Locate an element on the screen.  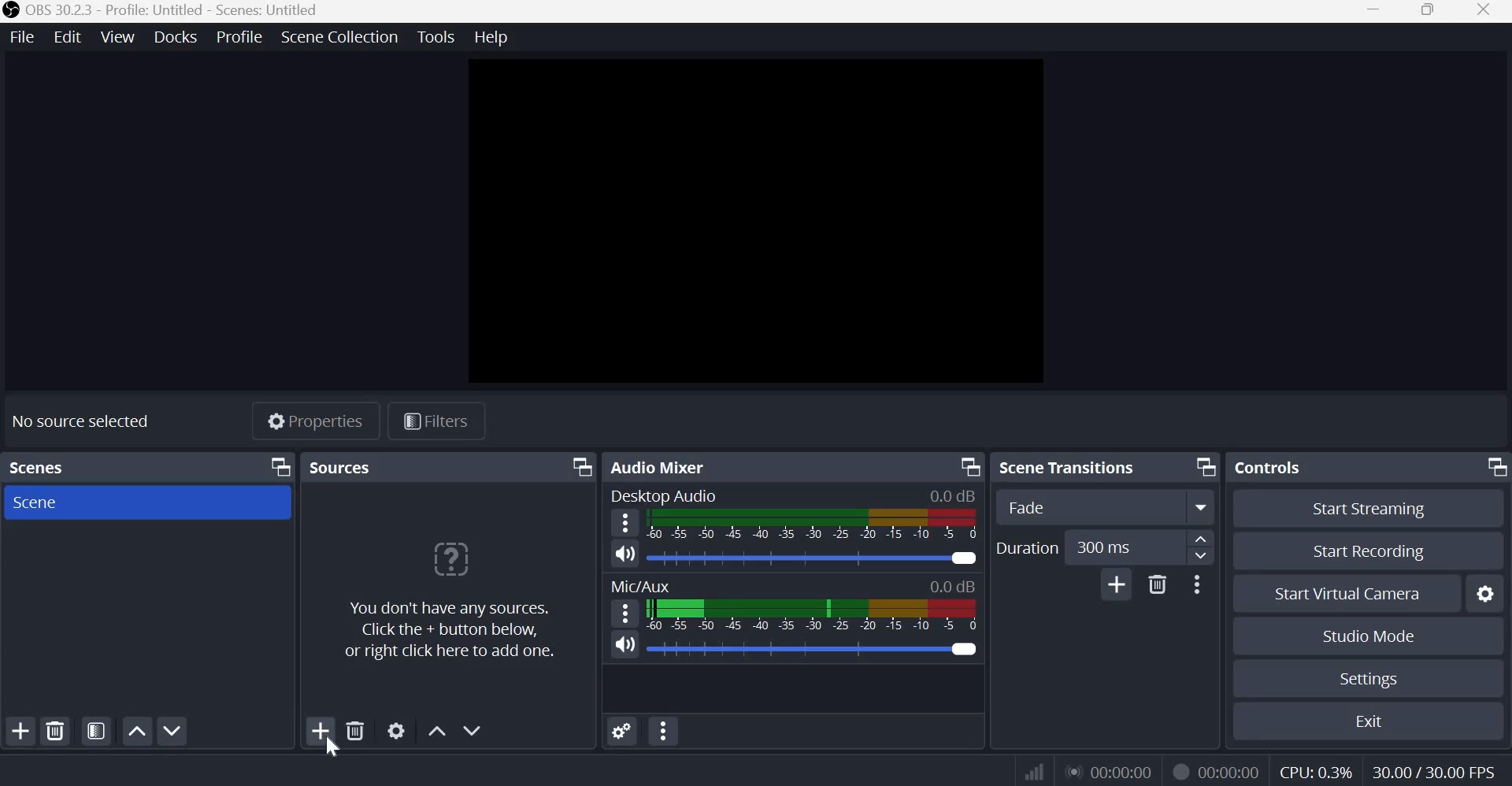
Advanced audio properties is located at coordinates (621, 730).